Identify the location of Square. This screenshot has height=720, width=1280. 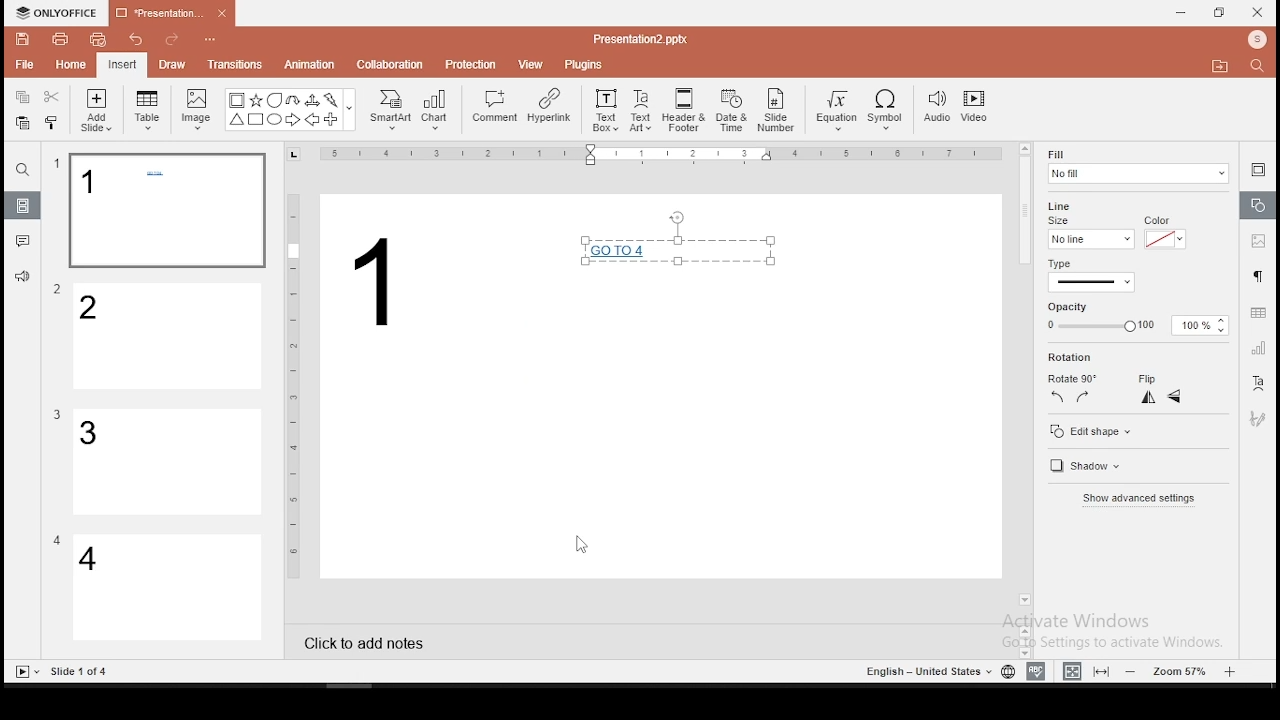
(255, 121).